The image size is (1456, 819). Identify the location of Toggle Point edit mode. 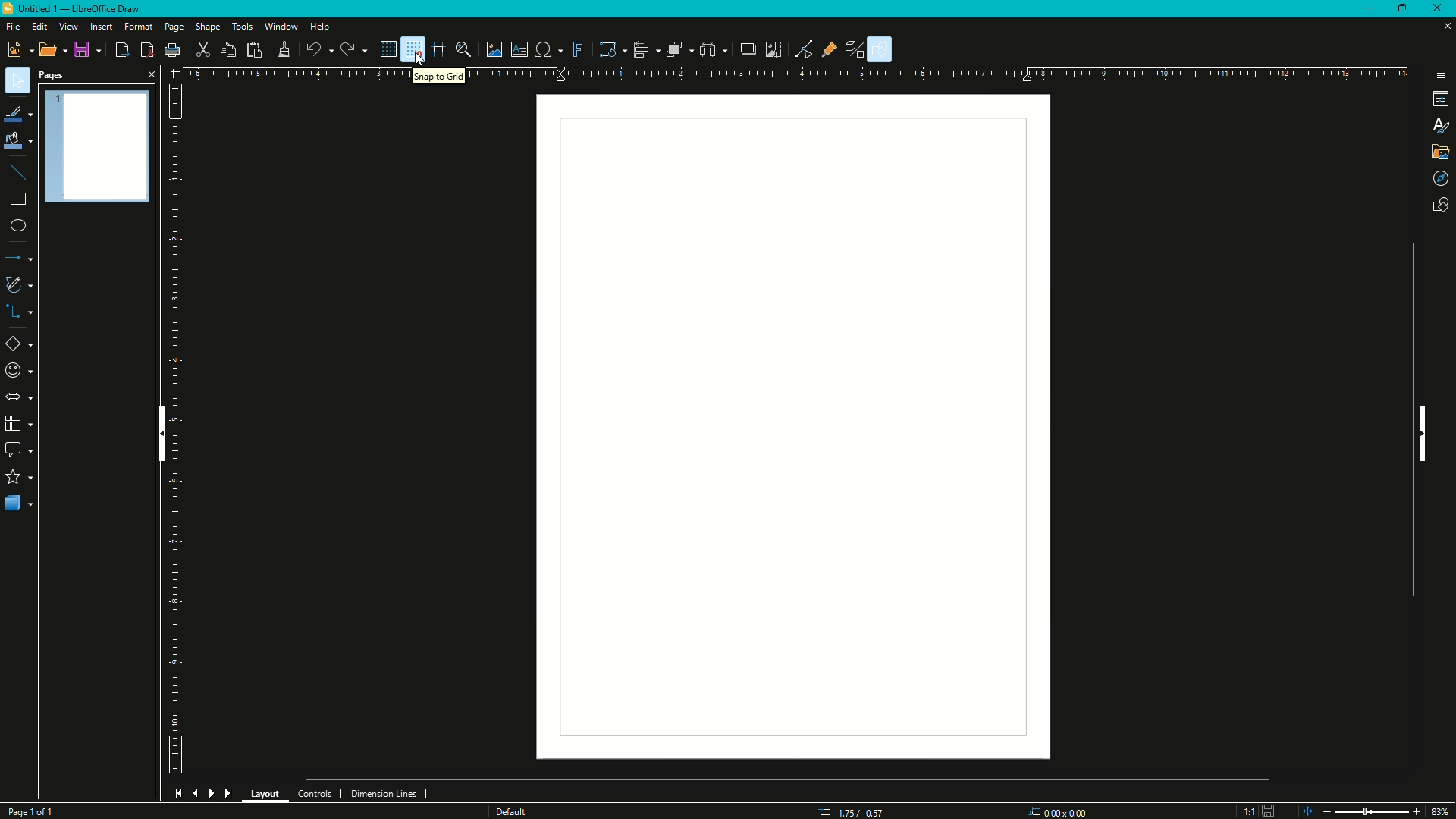
(802, 49).